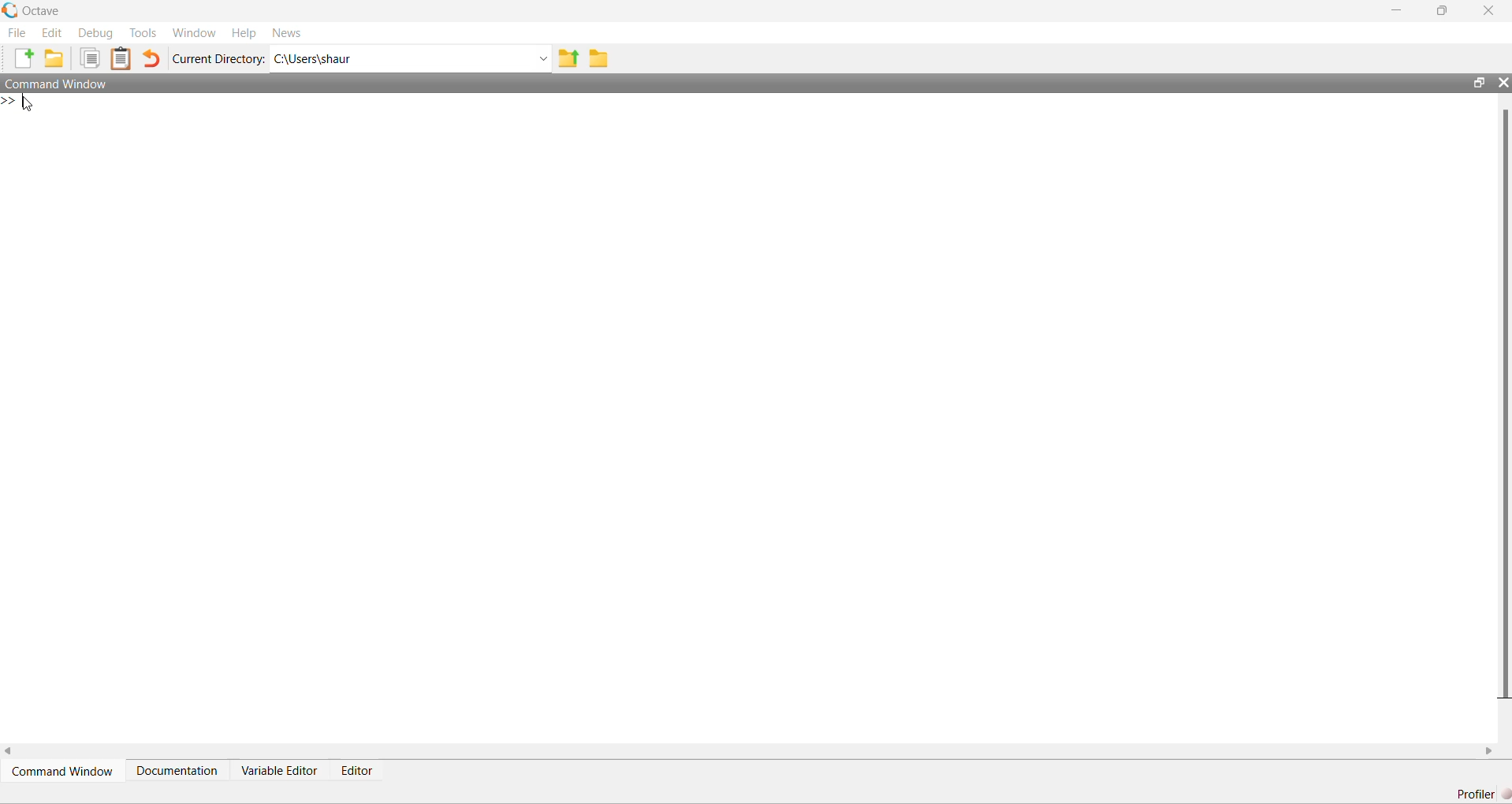  I want to click on Profiler, so click(1483, 794).